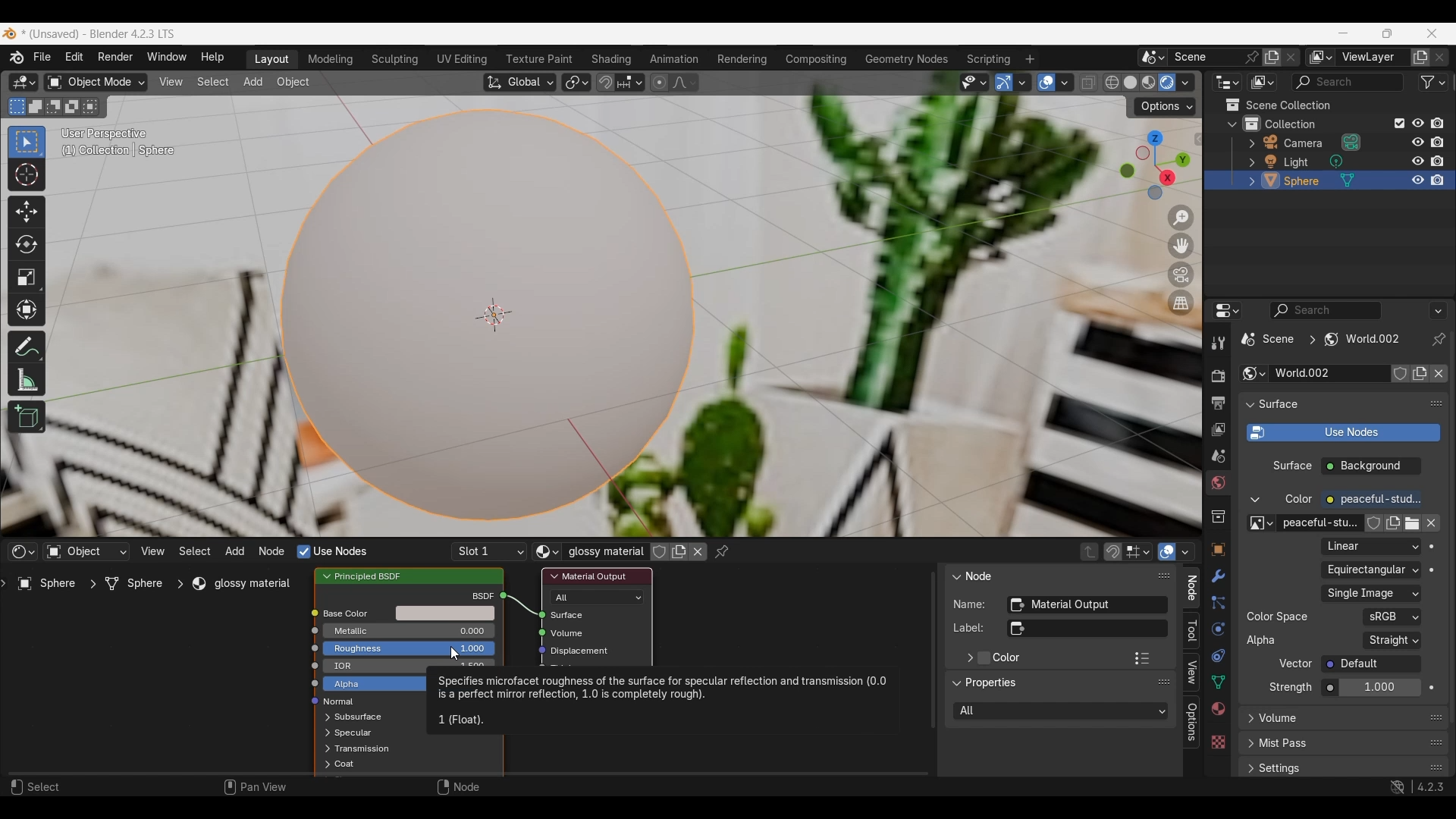 This screenshot has width=1456, height=819. Describe the element at coordinates (971, 604) in the screenshot. I see `Name:` at that location.